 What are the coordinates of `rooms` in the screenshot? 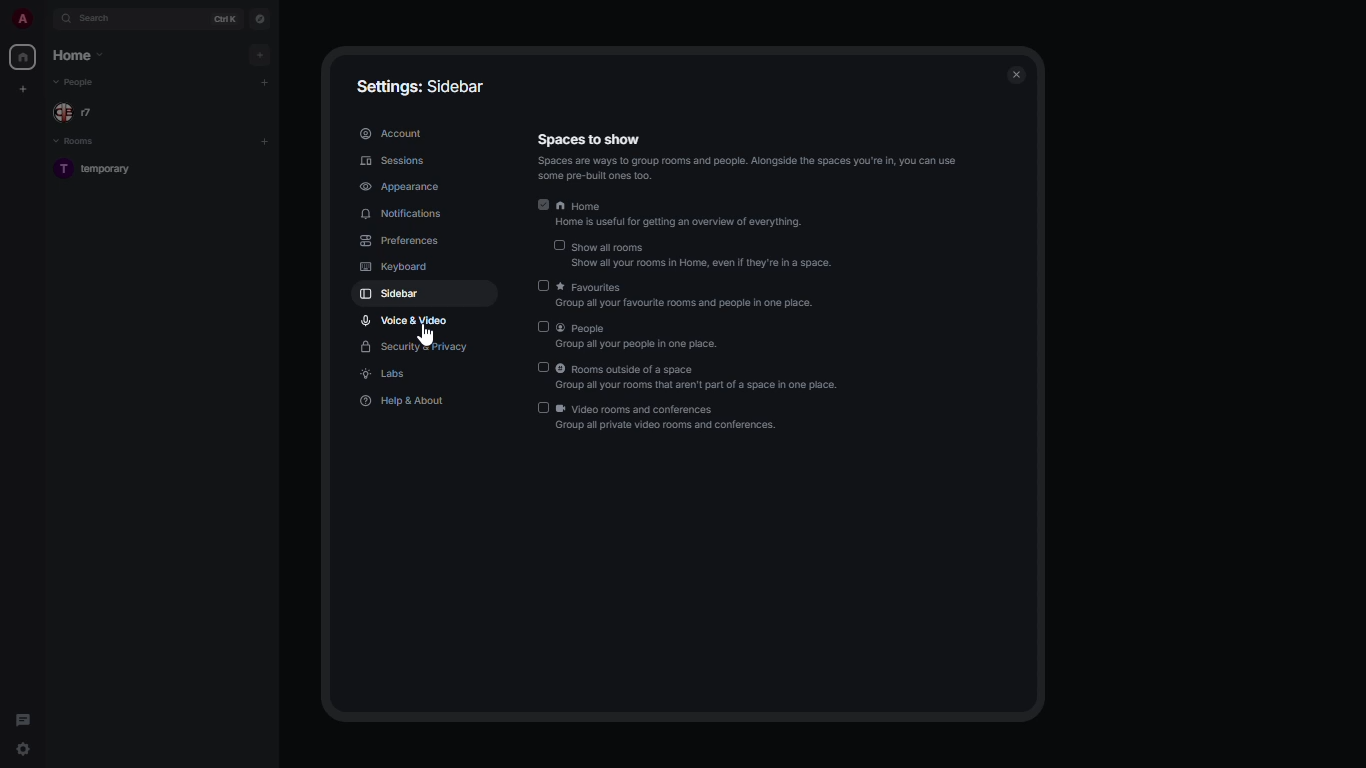 It's located at (75, 141).